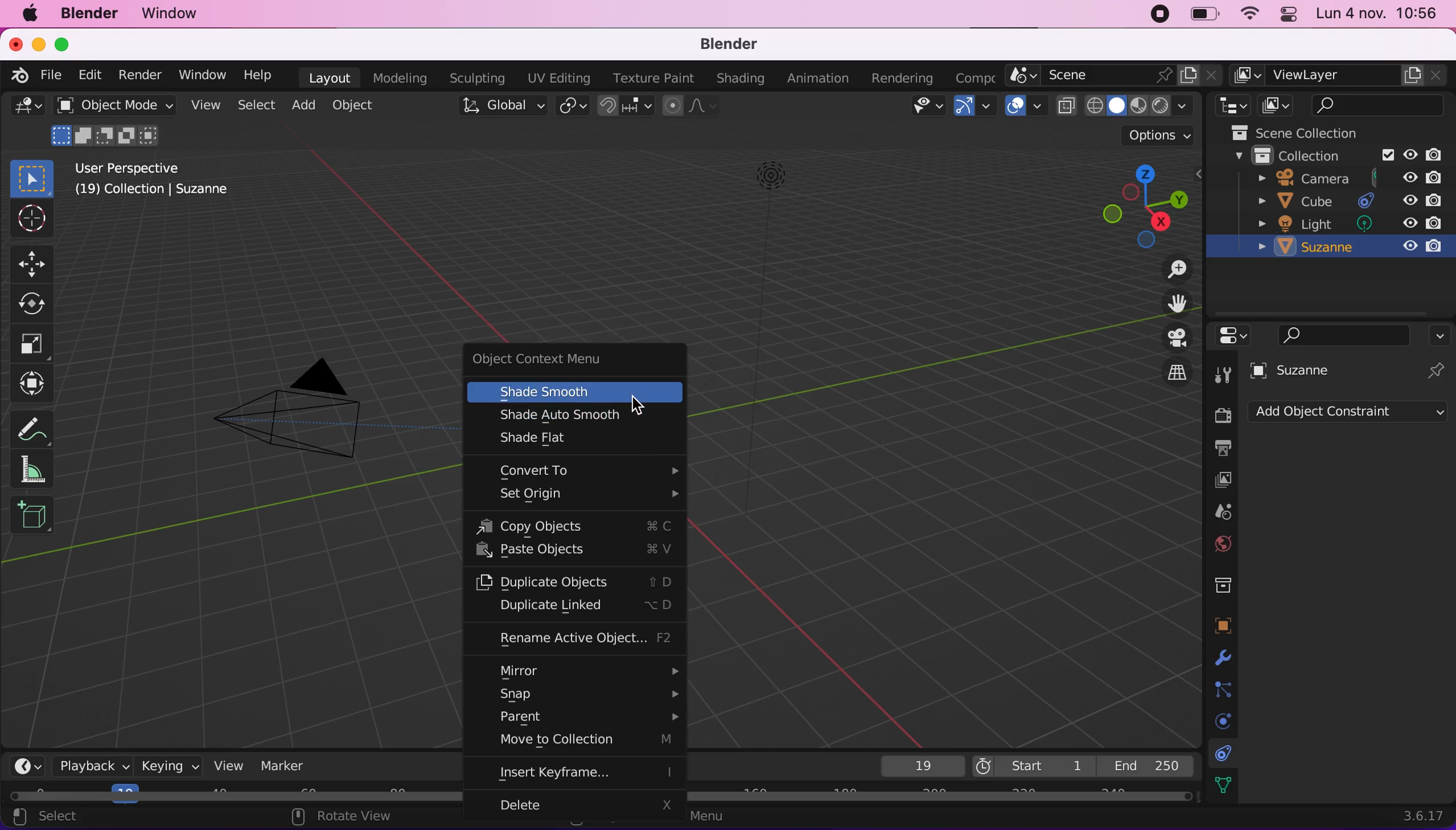 The image size is (1456, 830). Describe the element at coordinates (29, 13) in the screenshot. I see `mac logo` at that location.